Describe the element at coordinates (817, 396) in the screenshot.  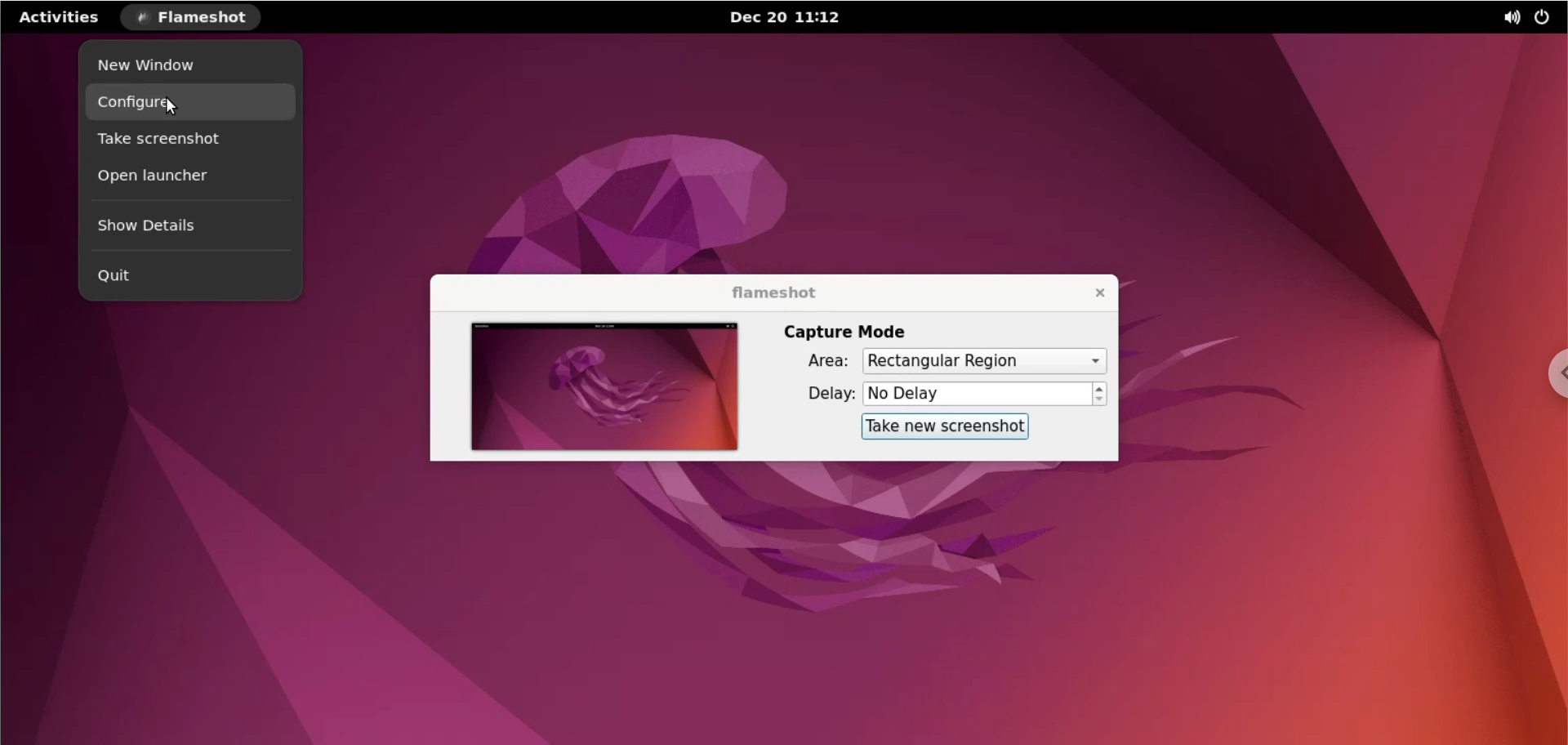
I see `delay ` at that location.